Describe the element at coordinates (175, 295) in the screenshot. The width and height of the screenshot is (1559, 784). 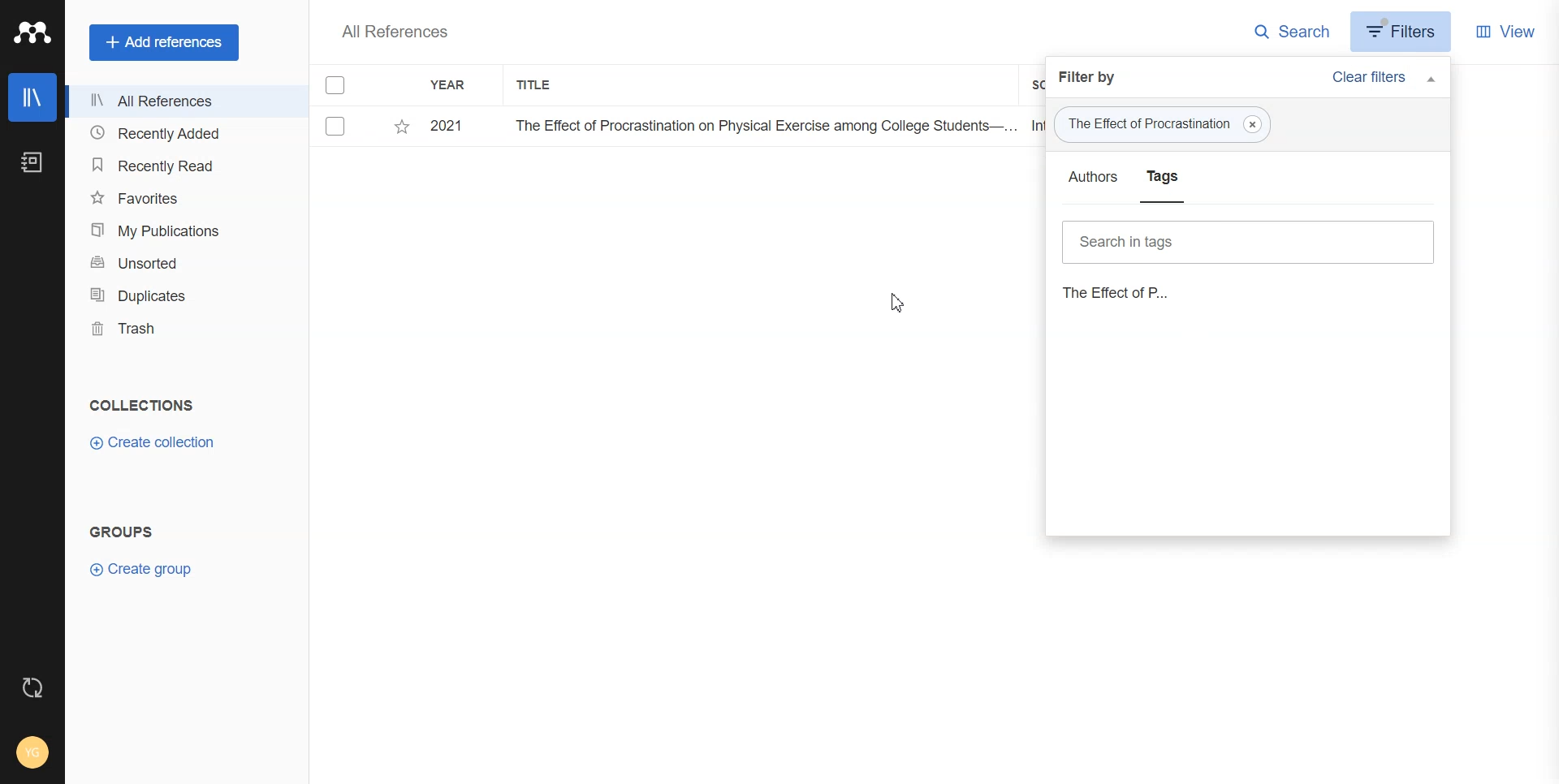
I see `Duplicates` at that location.